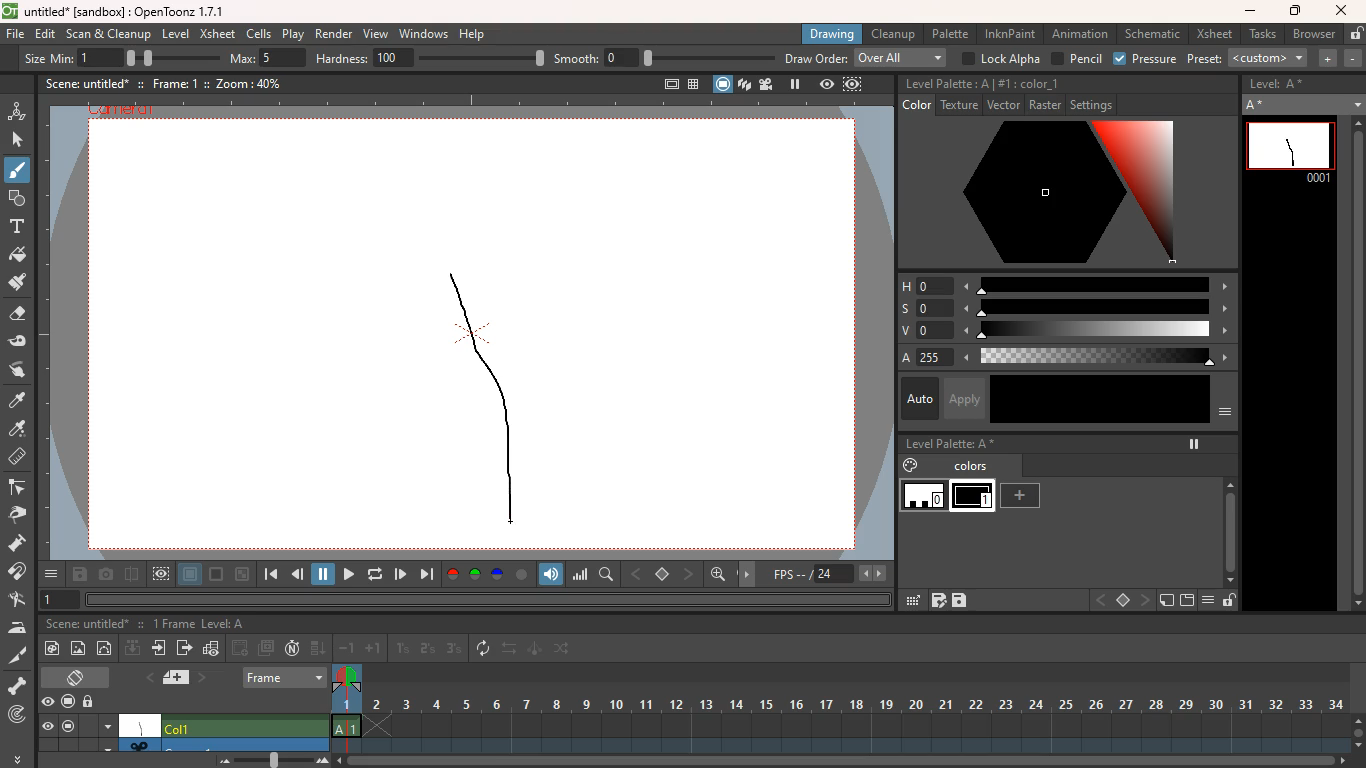 This screenshot has height=768, width=1366. What do you see at coordinates (454, 650) in the screenshot?
I see `3` at bounding box center [454, 650].